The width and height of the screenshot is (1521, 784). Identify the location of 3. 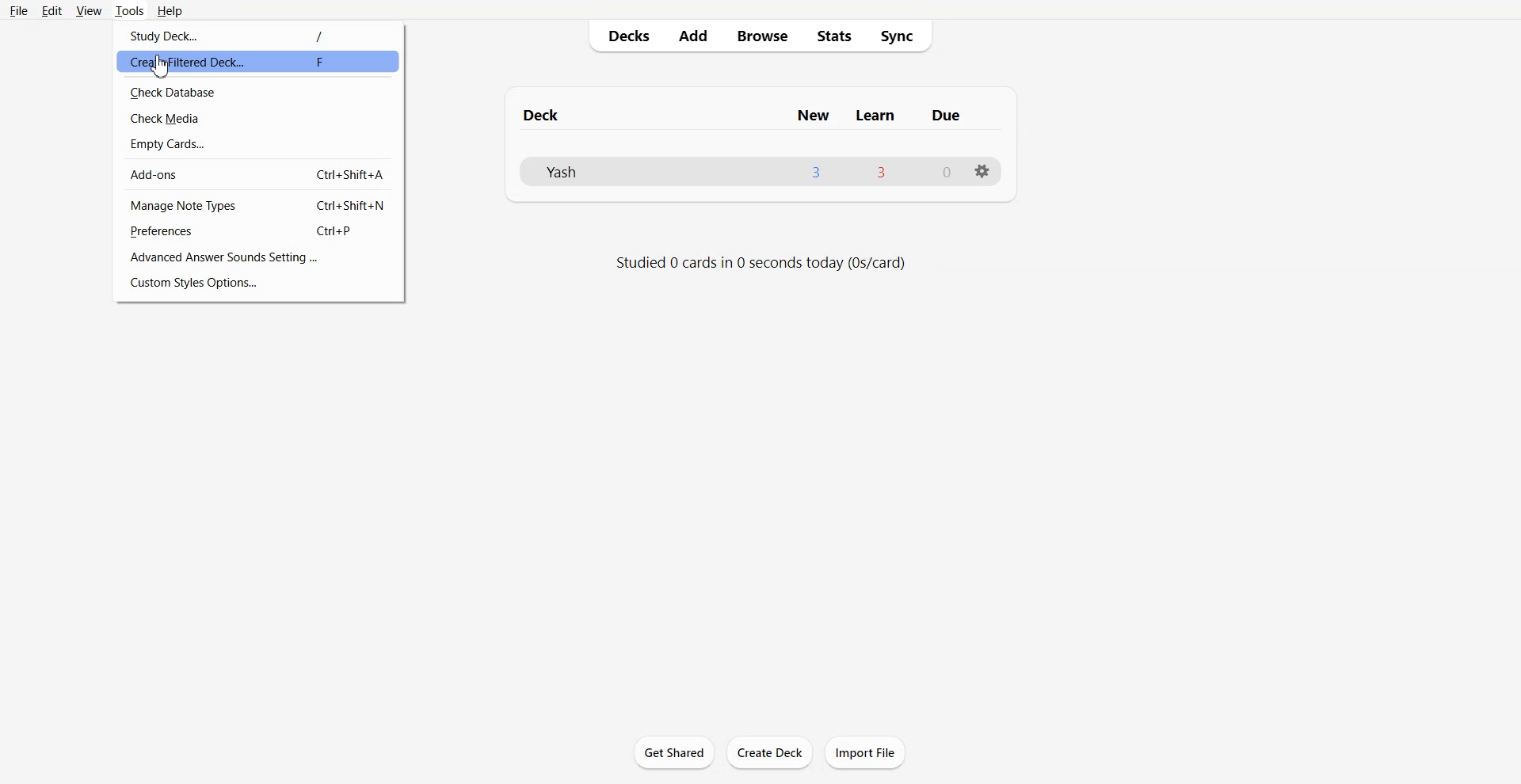
(882, 171).